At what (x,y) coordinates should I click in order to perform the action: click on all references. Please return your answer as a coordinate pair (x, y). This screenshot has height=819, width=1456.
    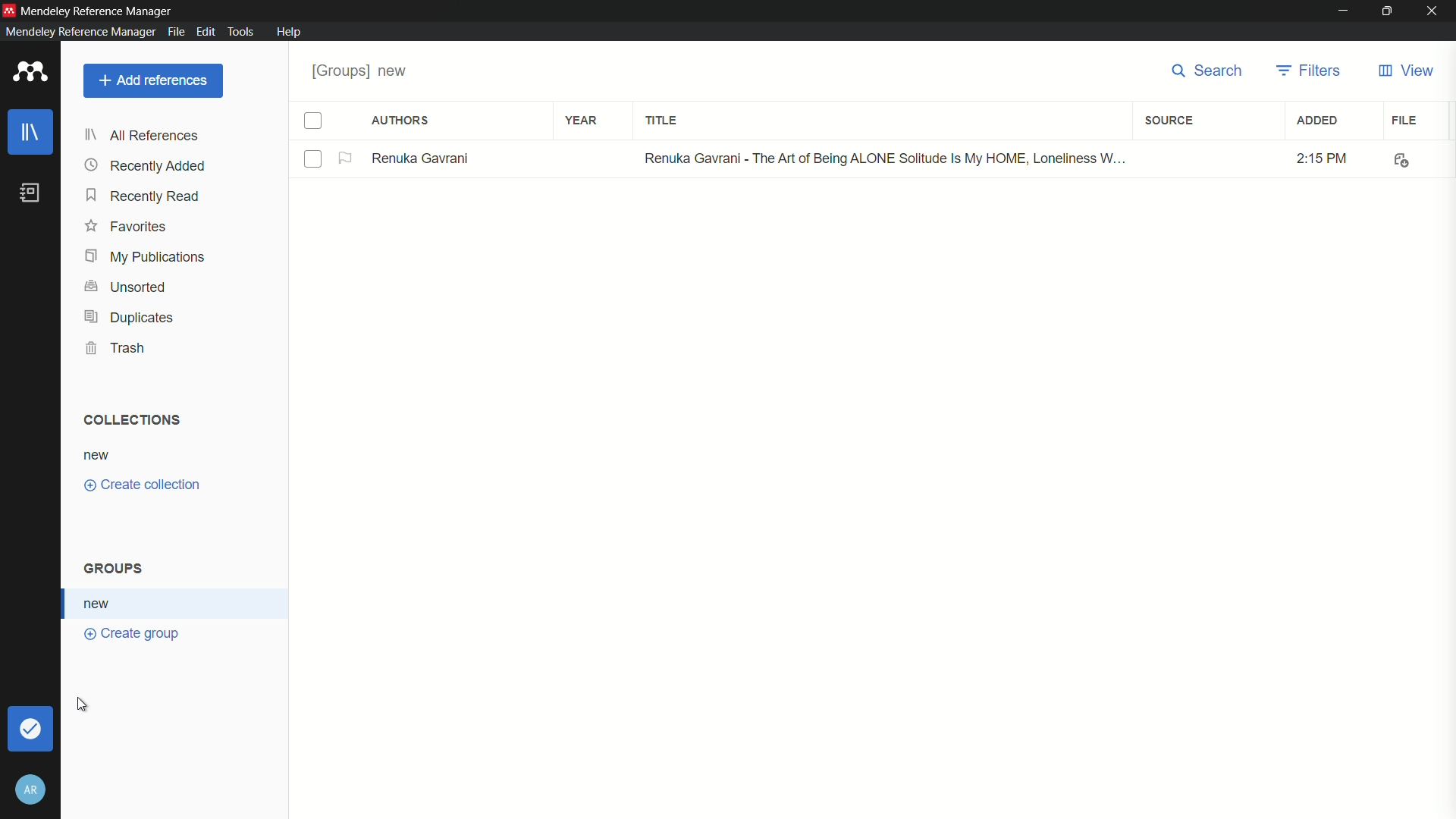
    Looking at the image, I should click on (144, 135).